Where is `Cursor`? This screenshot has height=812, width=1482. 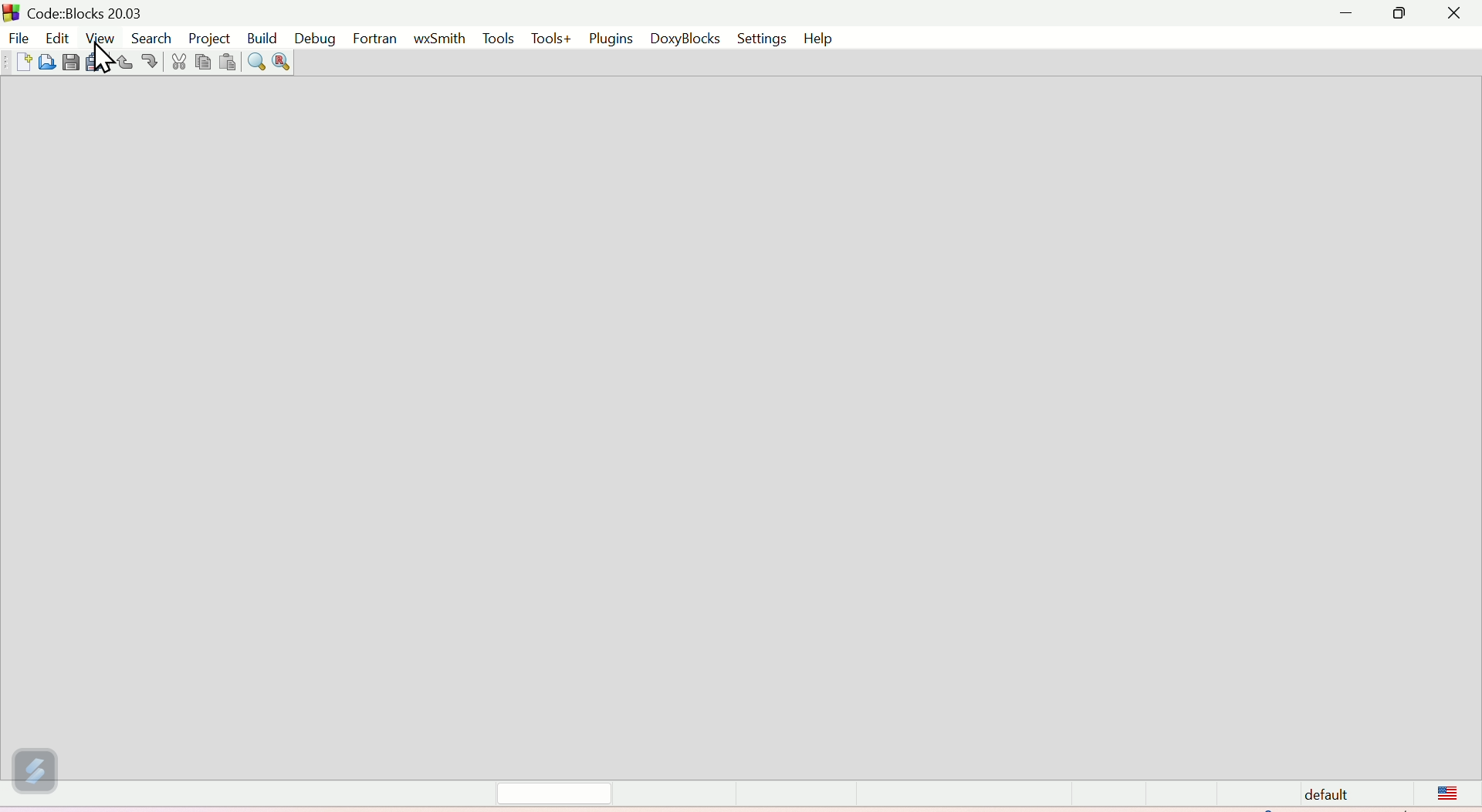
Cursor is located at coordinates (103, 61).